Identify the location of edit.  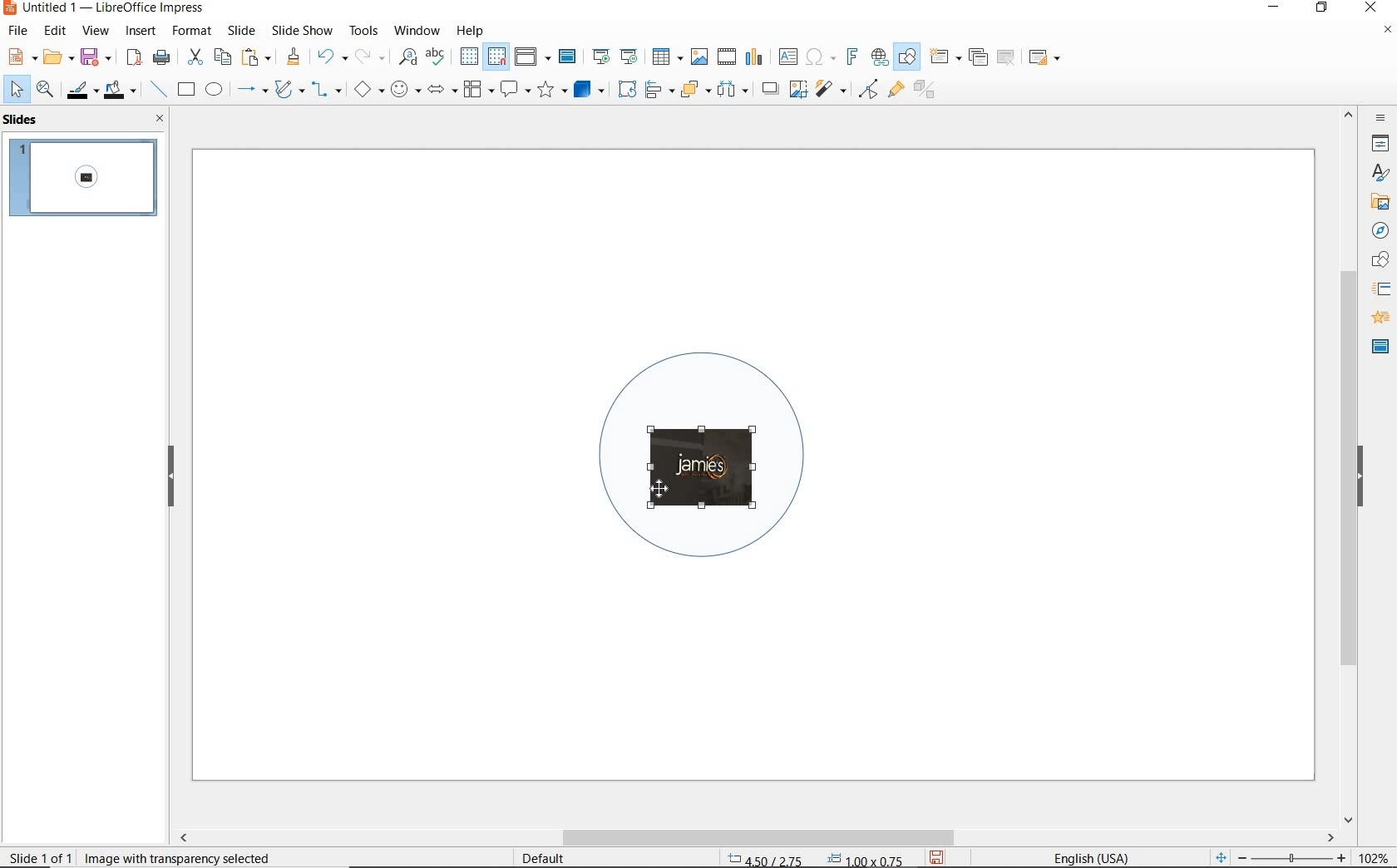
(56, 31).